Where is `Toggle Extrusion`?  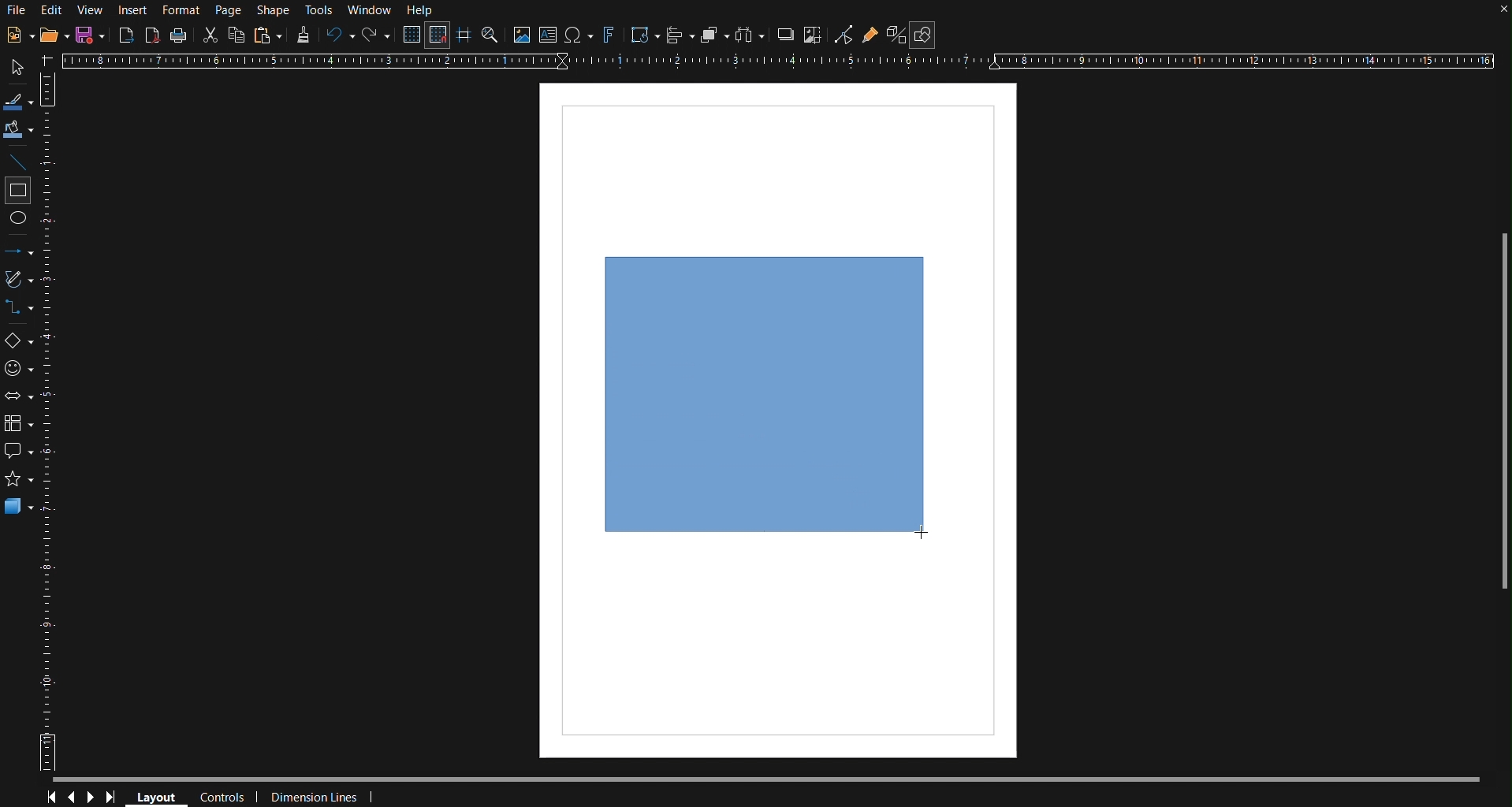 Toggle Extrusion is located at coordinates (897, 34).